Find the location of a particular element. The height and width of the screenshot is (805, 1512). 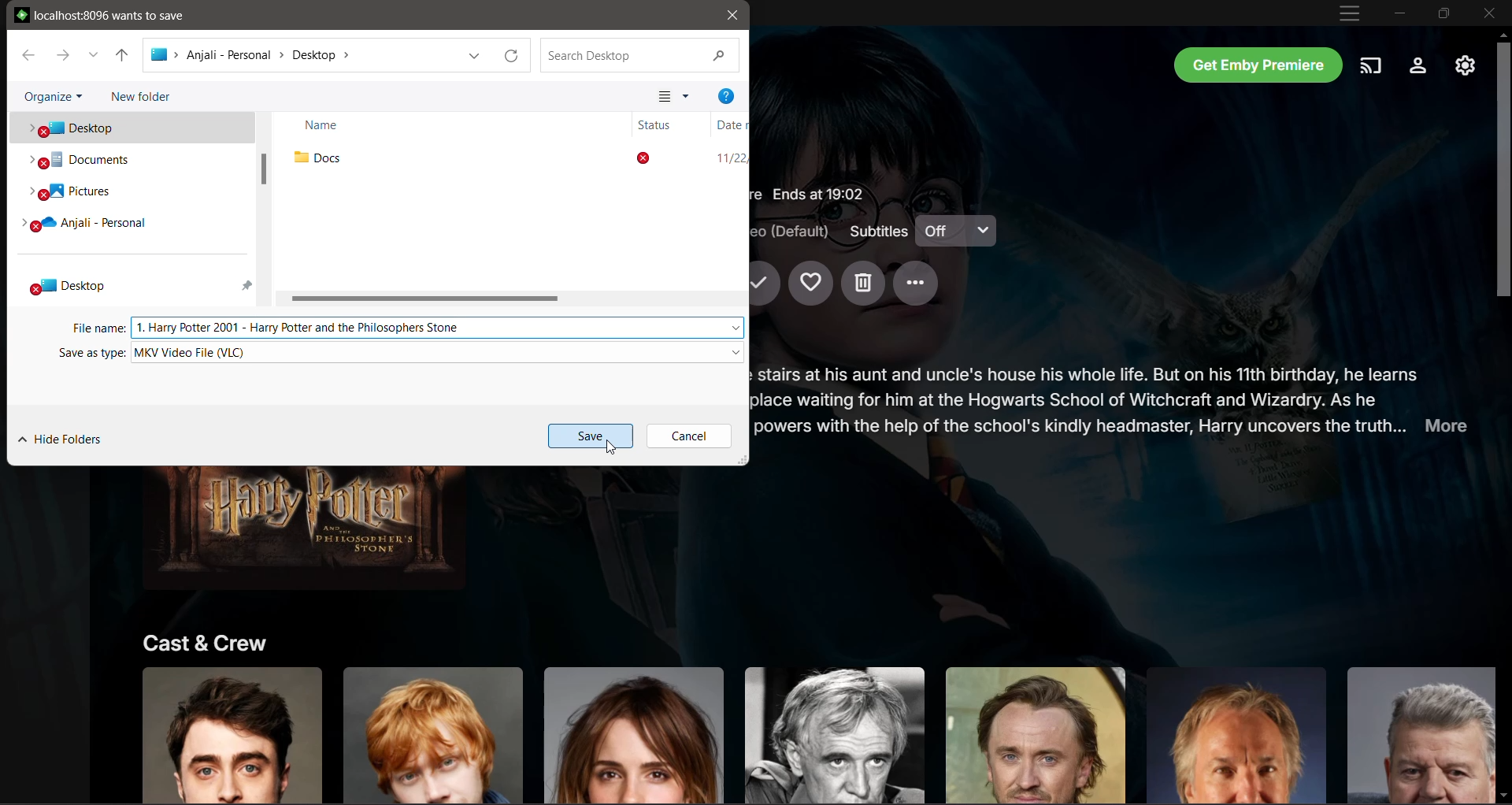

Get Emby Premier is located at coordinates (1259, 65).